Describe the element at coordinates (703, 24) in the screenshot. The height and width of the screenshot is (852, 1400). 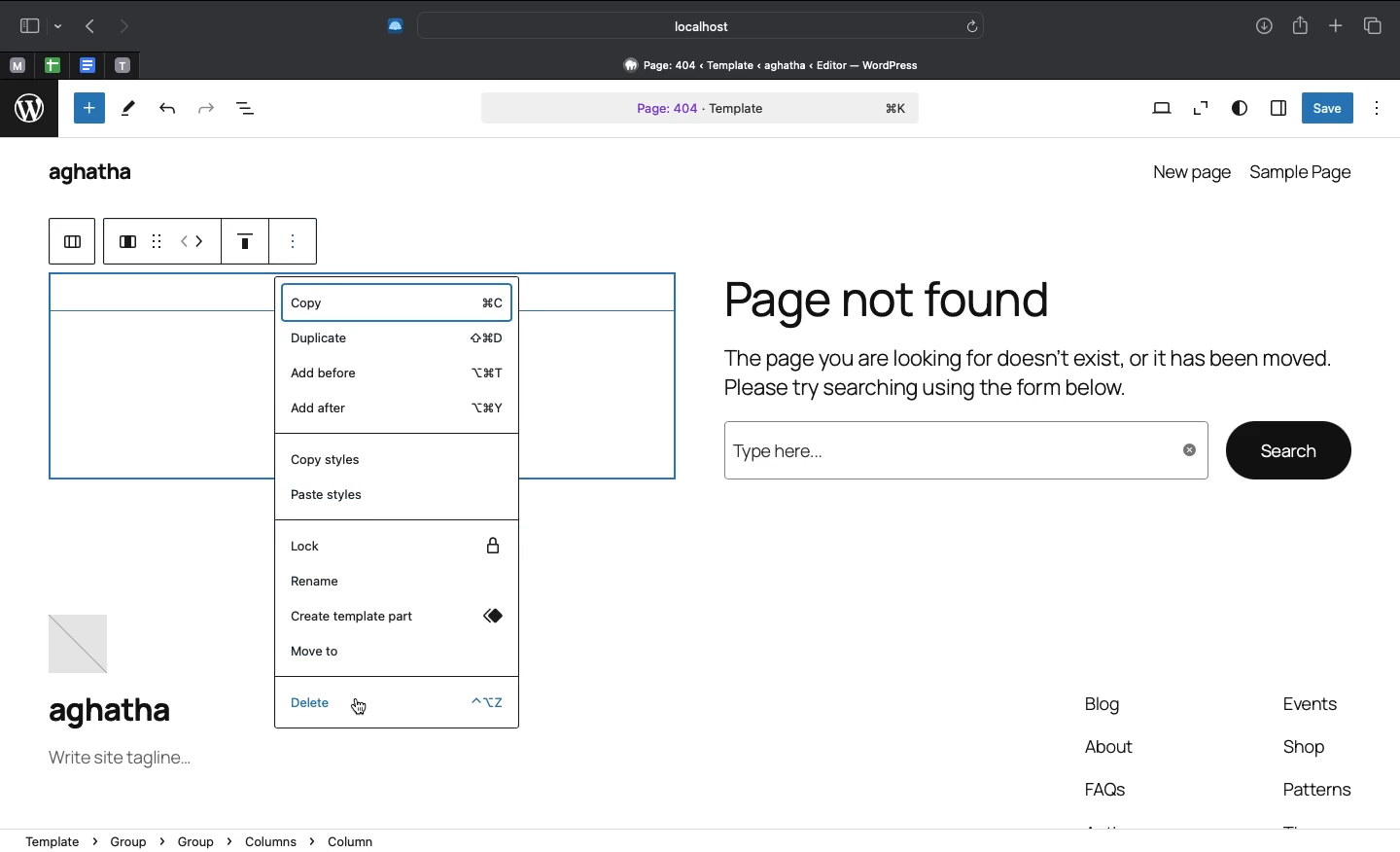
I see `Search bar` at that location.